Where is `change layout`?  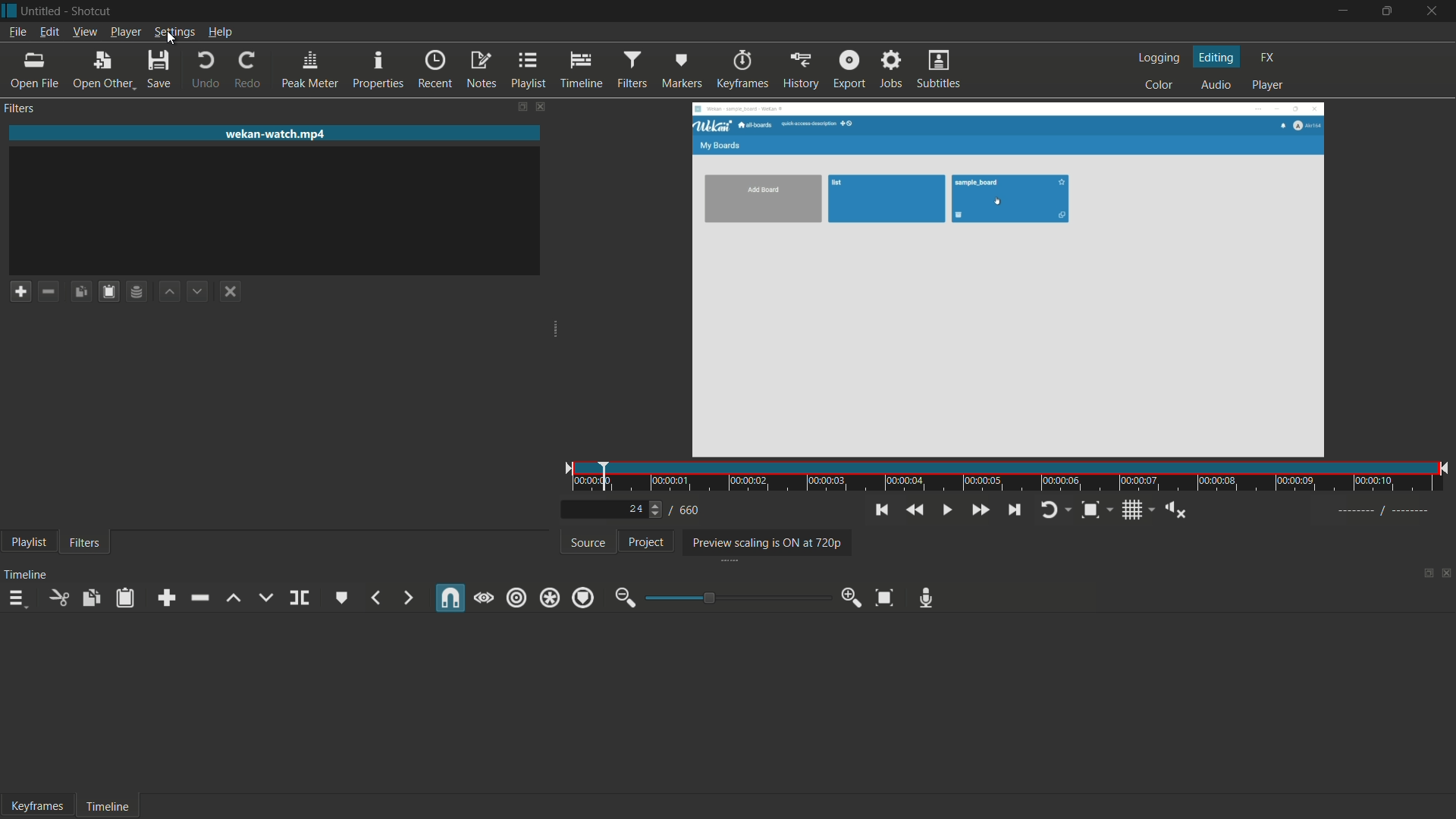 change layout is located at coordinates (516, 106).